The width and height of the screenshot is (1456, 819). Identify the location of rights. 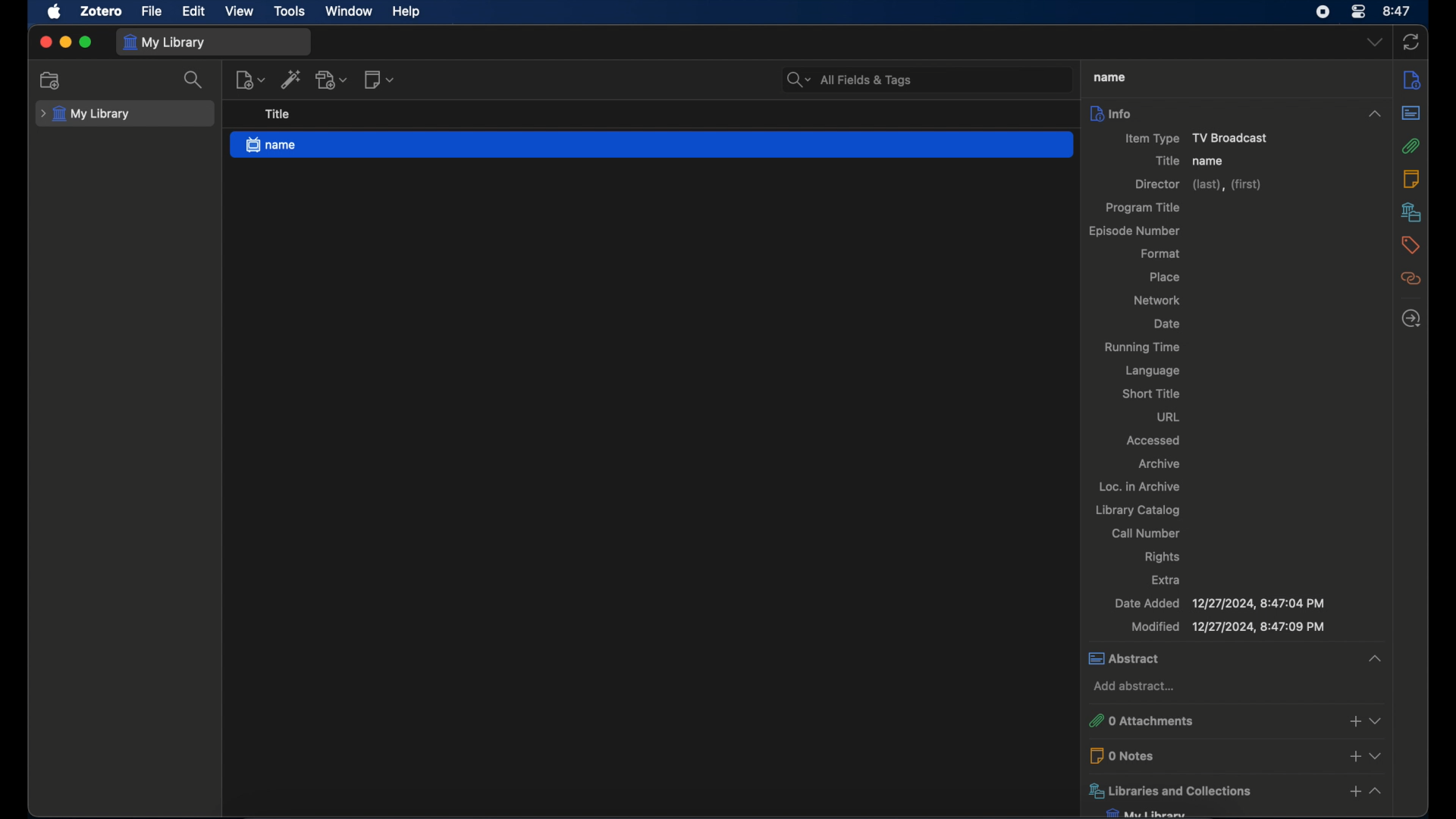
(1160, 557).